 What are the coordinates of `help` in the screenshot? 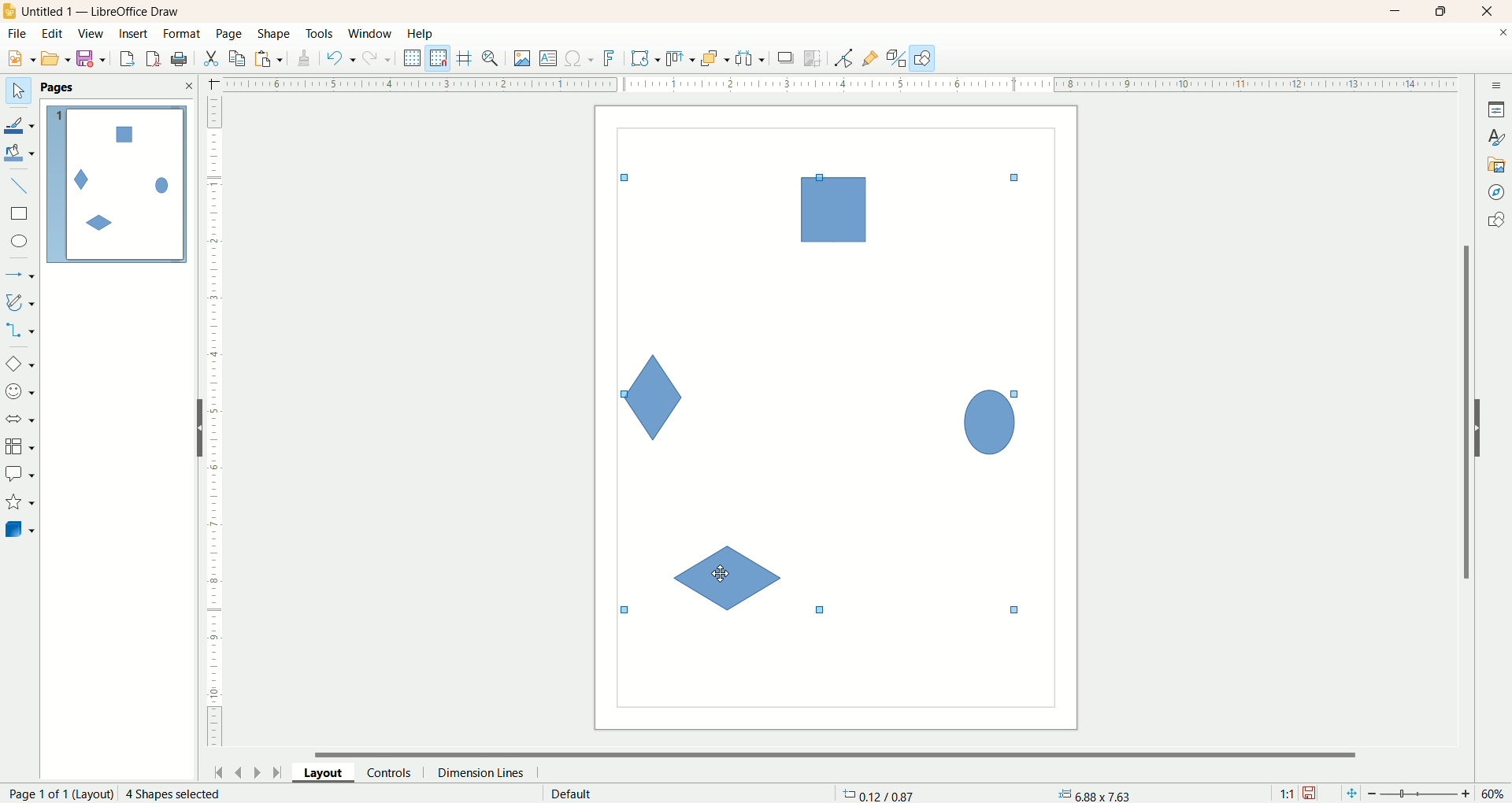 It's located at (421, 34).